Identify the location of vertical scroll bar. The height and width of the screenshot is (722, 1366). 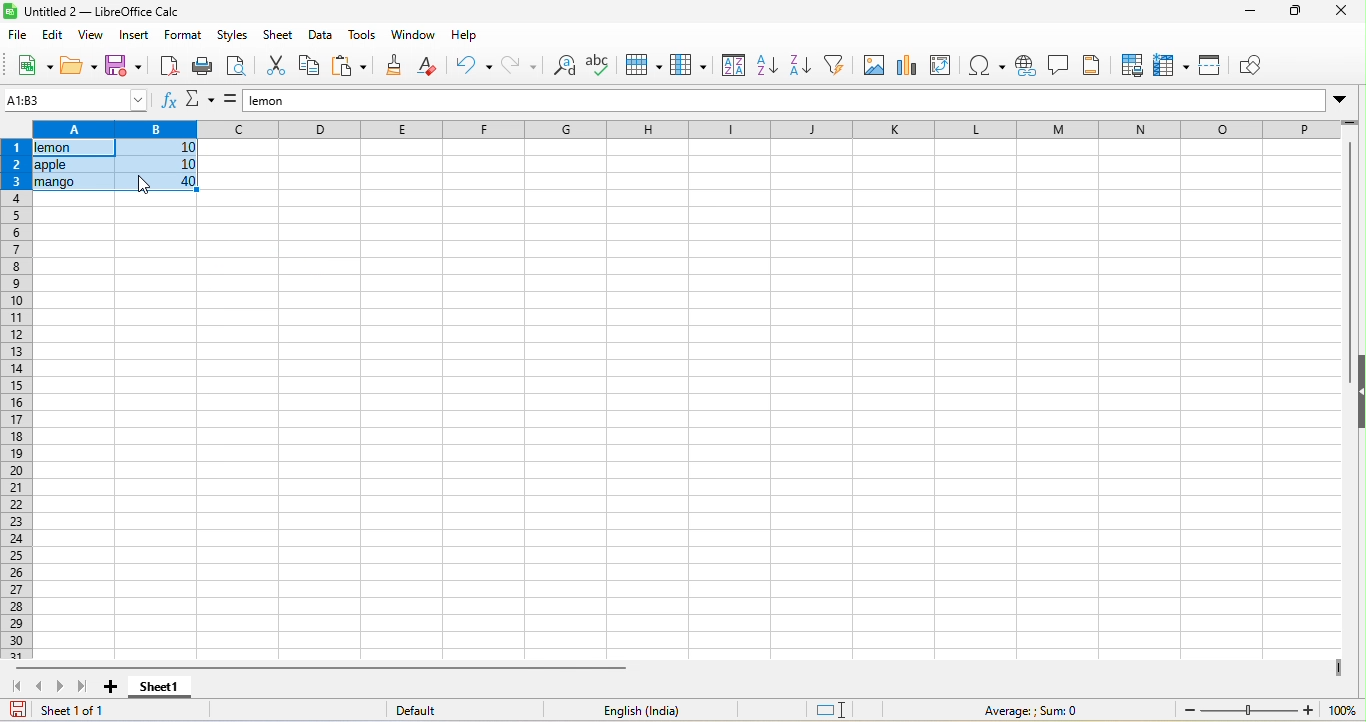
(1349, 234).